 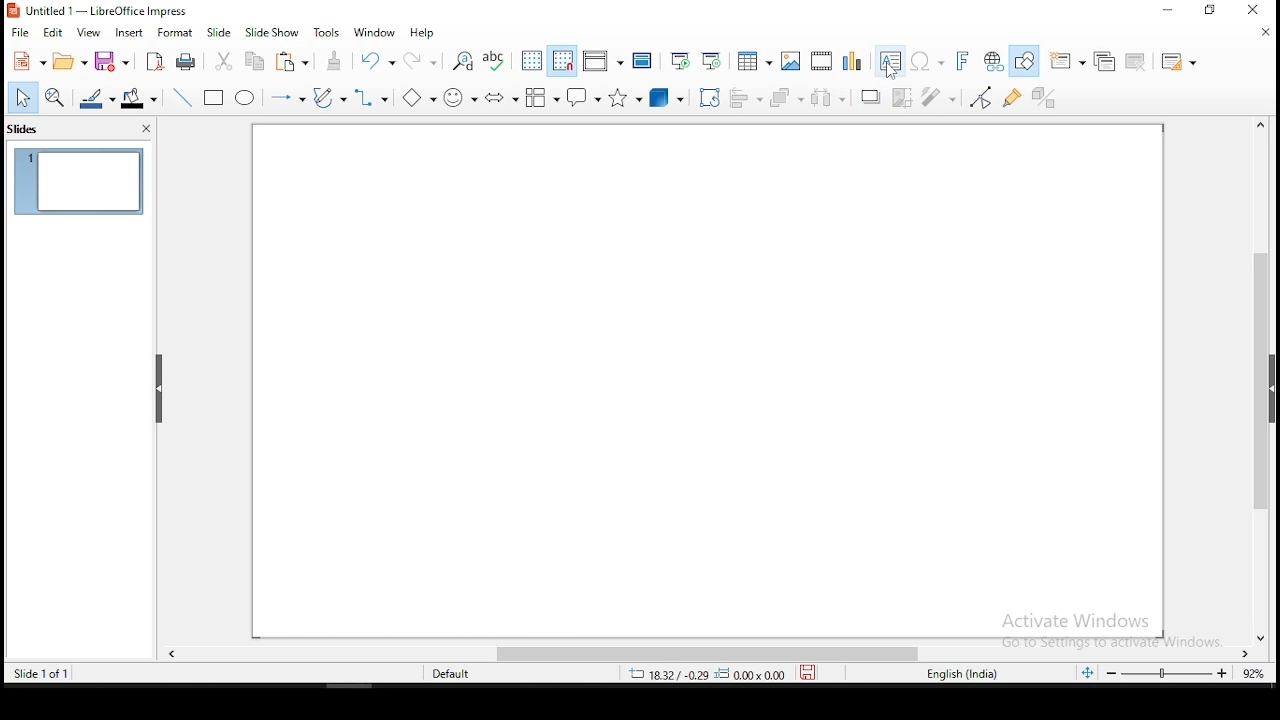 I want to click on crop image, so click(x=903, y=97).